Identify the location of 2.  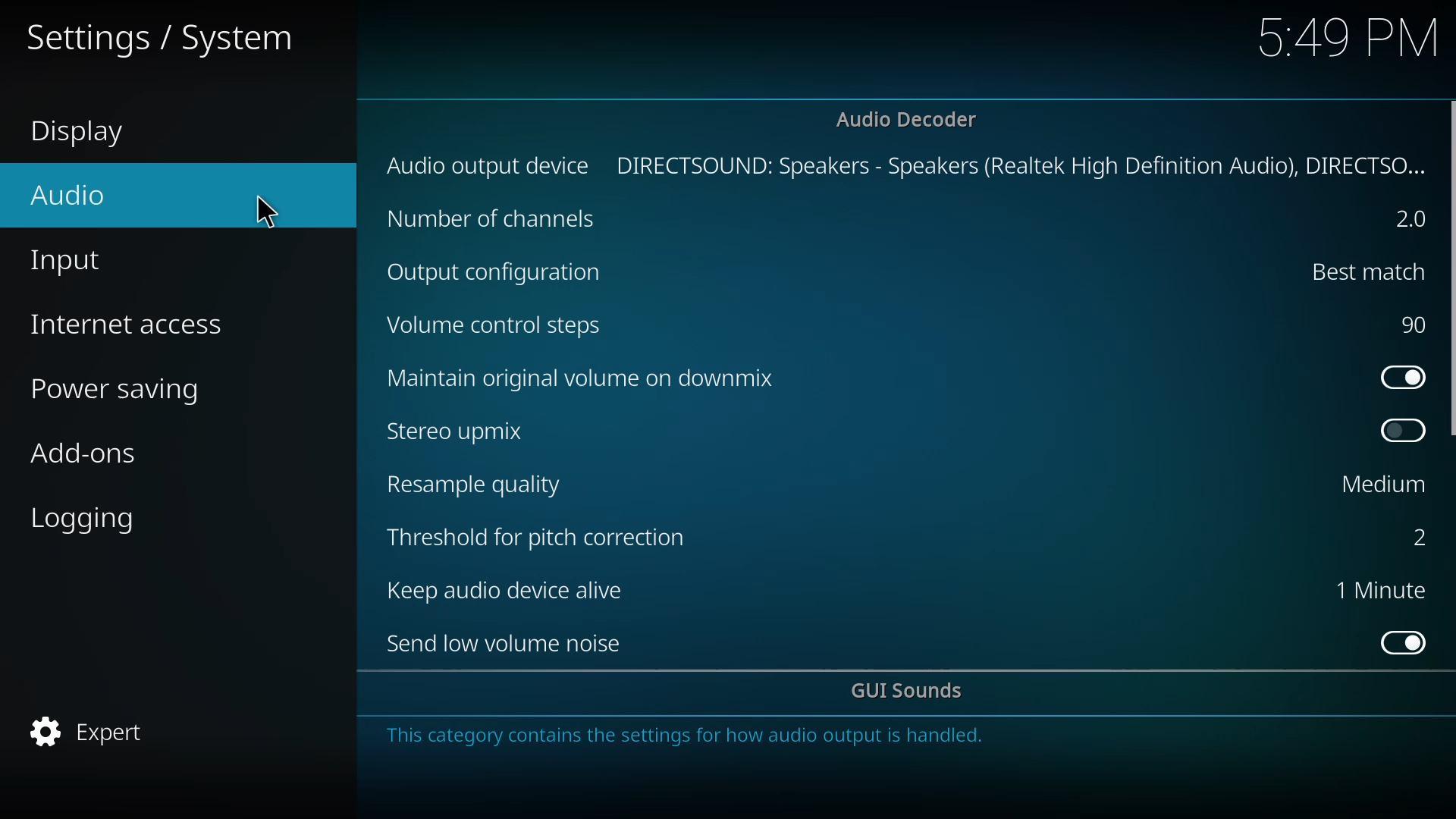
(1416, 537).